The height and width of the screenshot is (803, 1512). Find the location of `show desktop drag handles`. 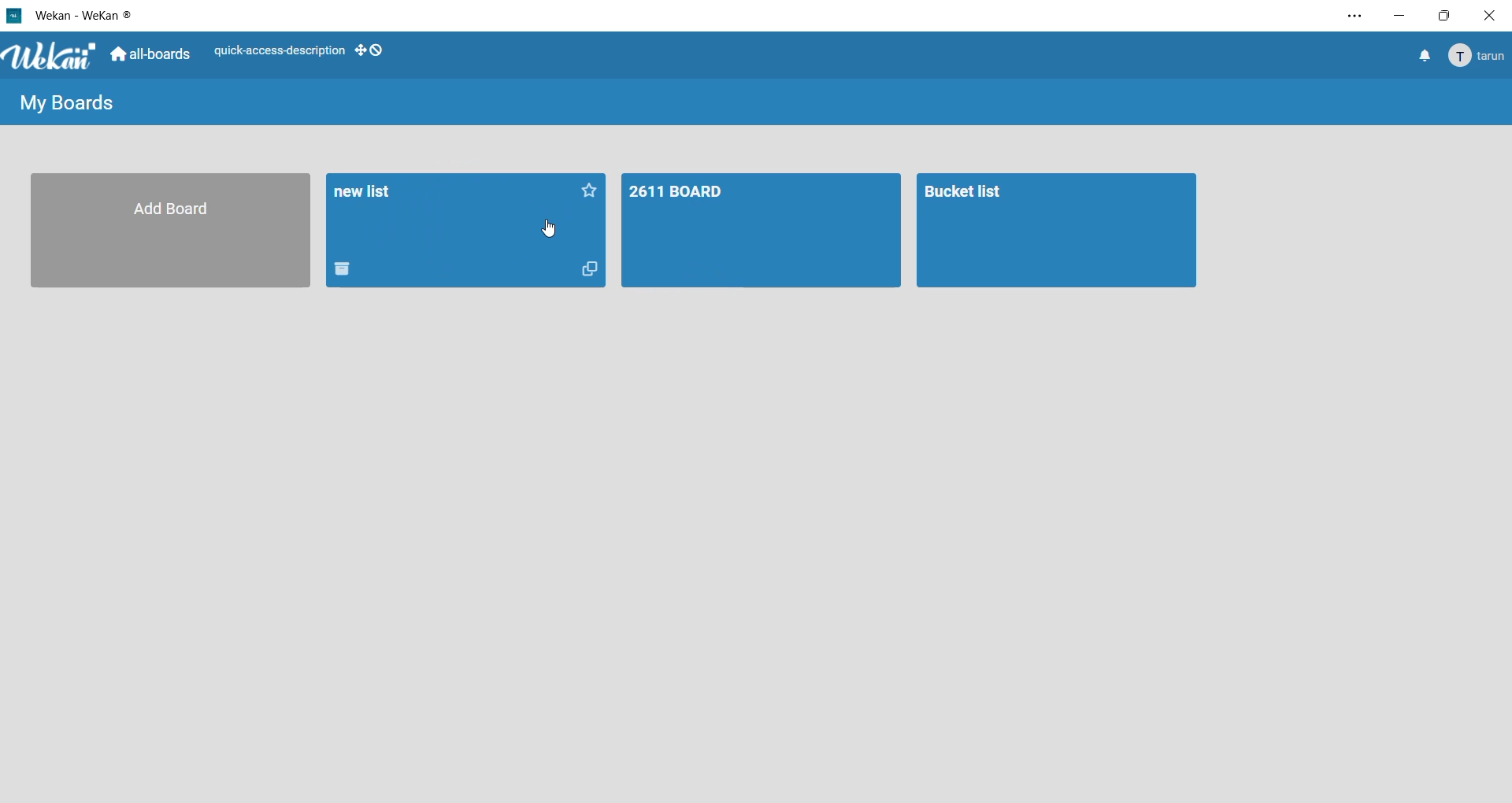

show desktop drag handles is located at coordinates (371, 50).